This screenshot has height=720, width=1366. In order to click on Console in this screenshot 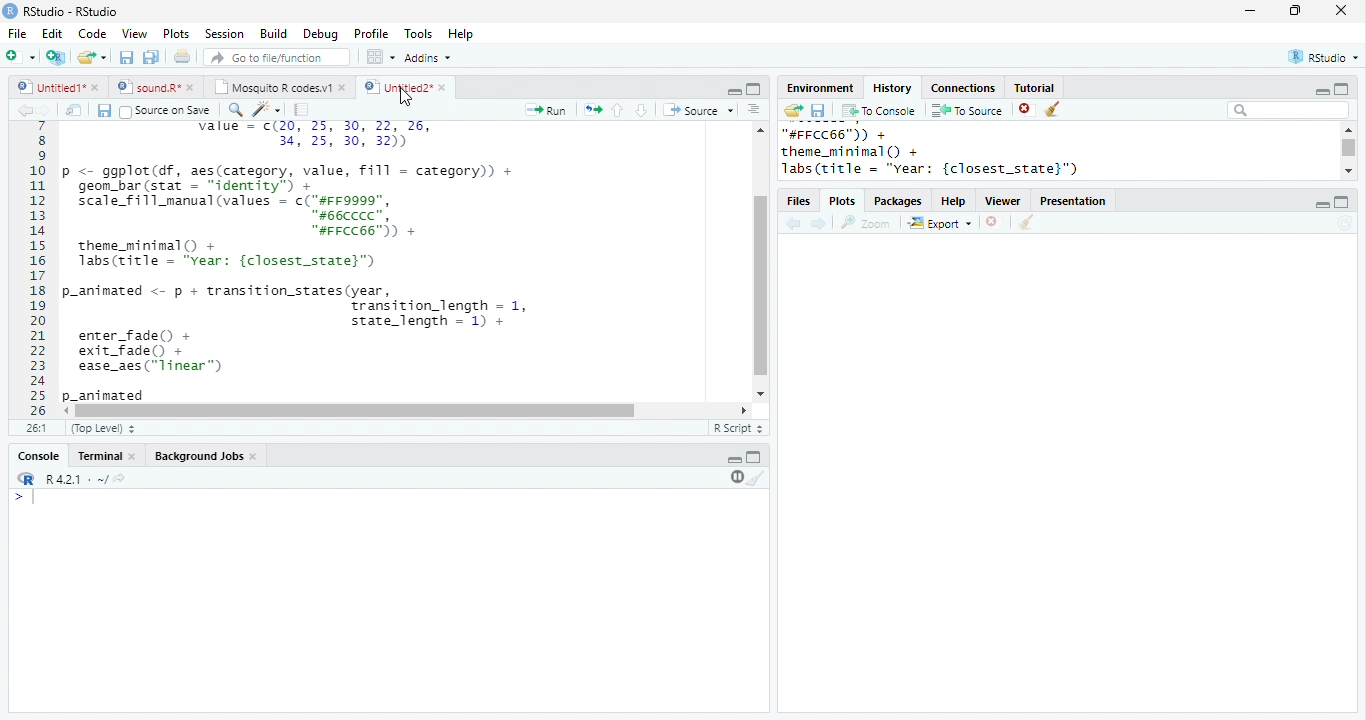, I will do `click(38, 456)`.